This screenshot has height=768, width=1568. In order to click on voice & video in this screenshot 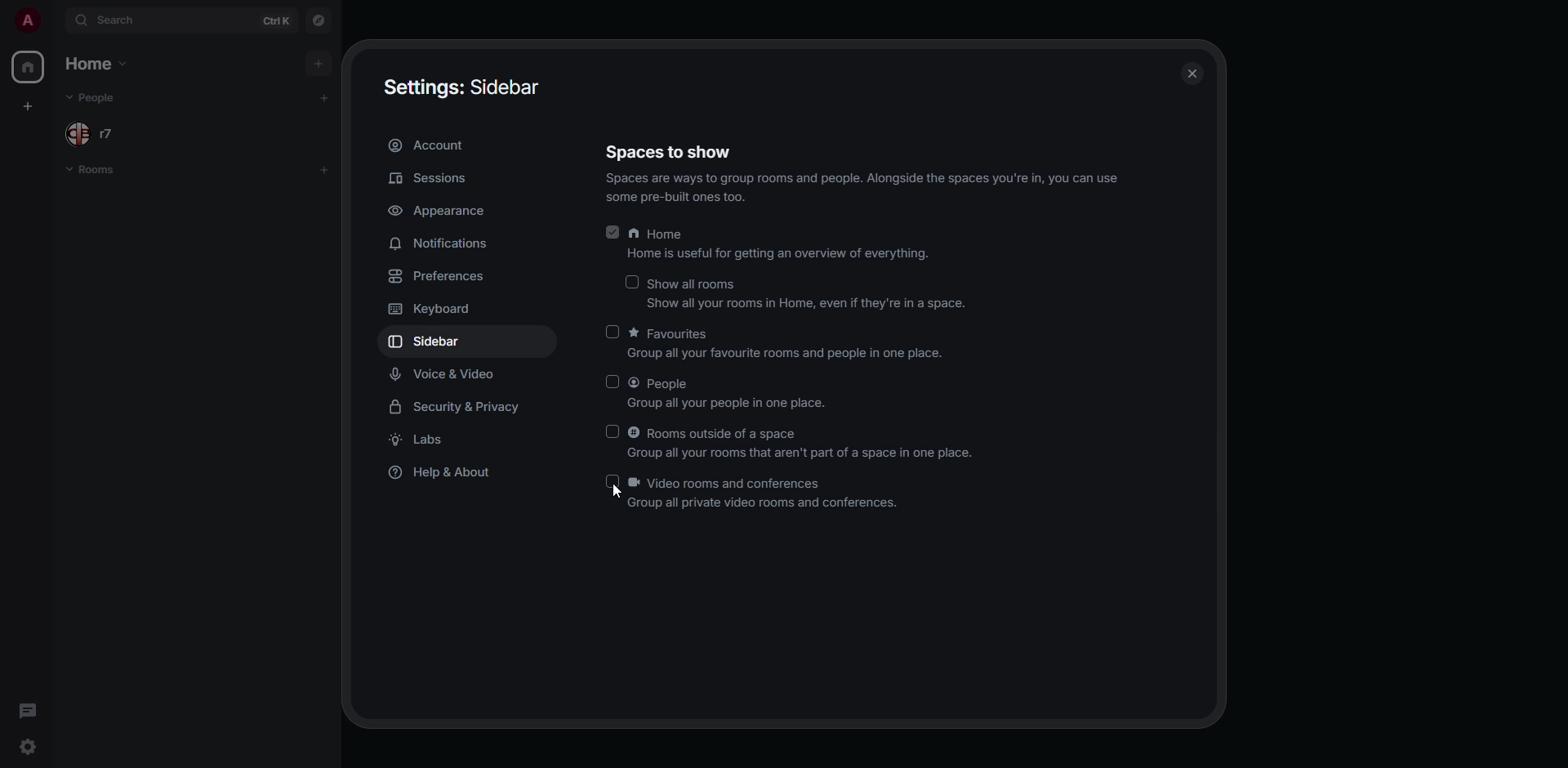, I will do `click(443, 373)`.